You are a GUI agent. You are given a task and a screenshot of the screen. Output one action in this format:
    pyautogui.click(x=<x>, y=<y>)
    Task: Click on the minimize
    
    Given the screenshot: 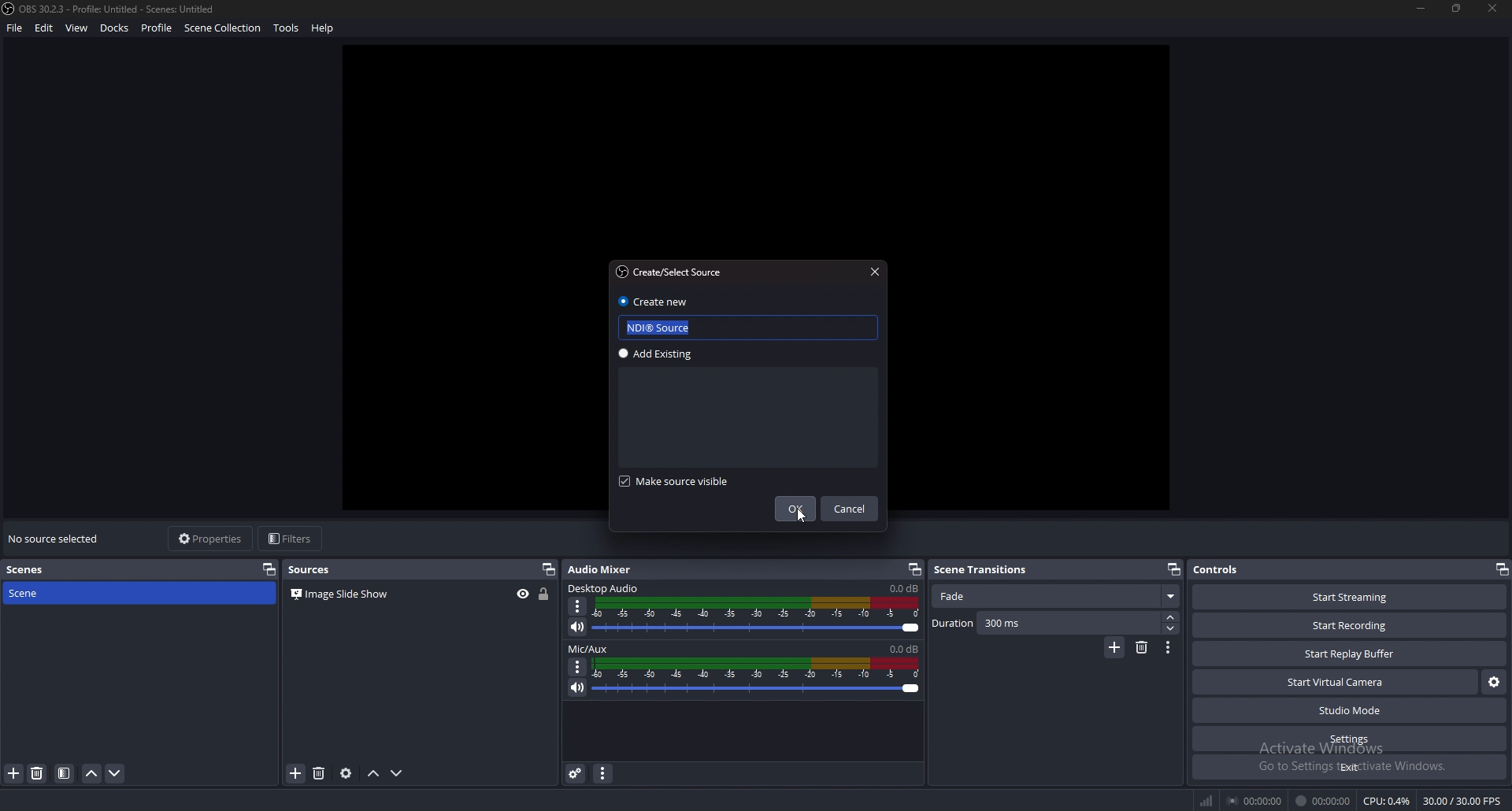 What is the action you would take?
    pyautogui.click(x=1422, y=9)
    